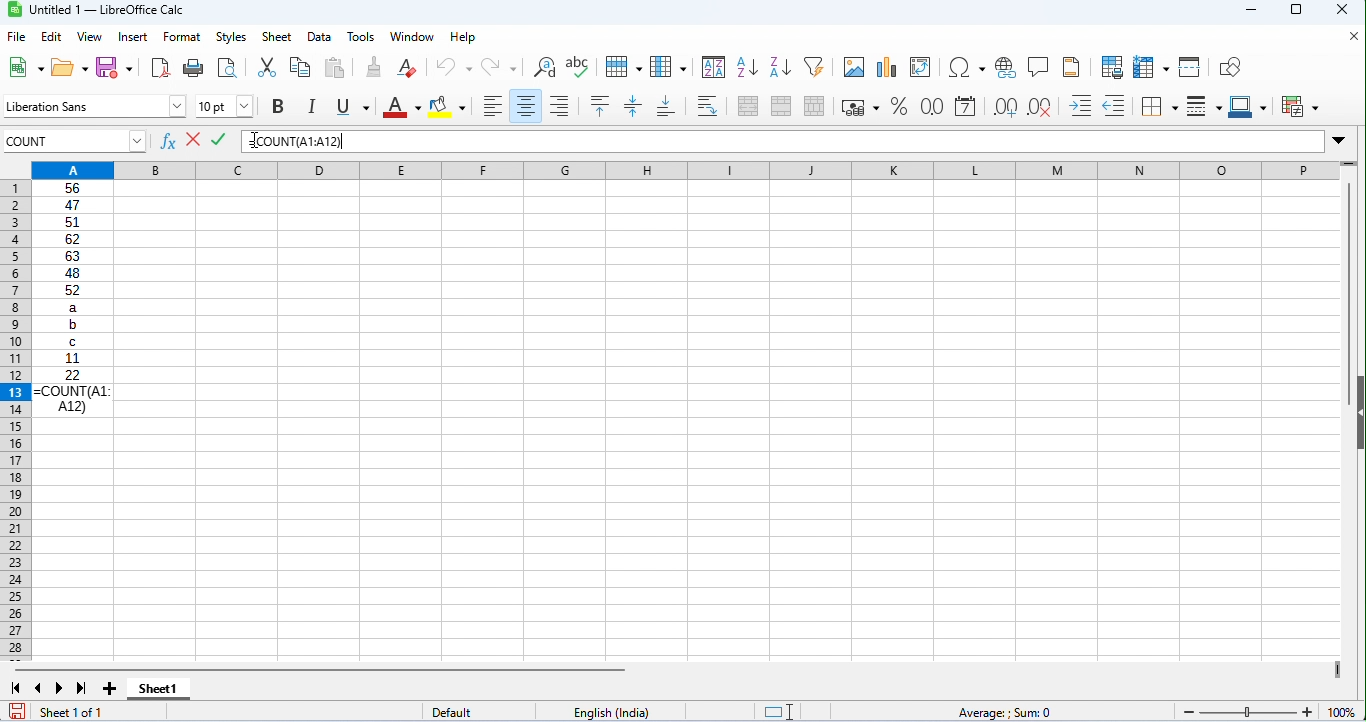 The image size is (1366, 722). I want to click on last sheet, so click(82, 688).